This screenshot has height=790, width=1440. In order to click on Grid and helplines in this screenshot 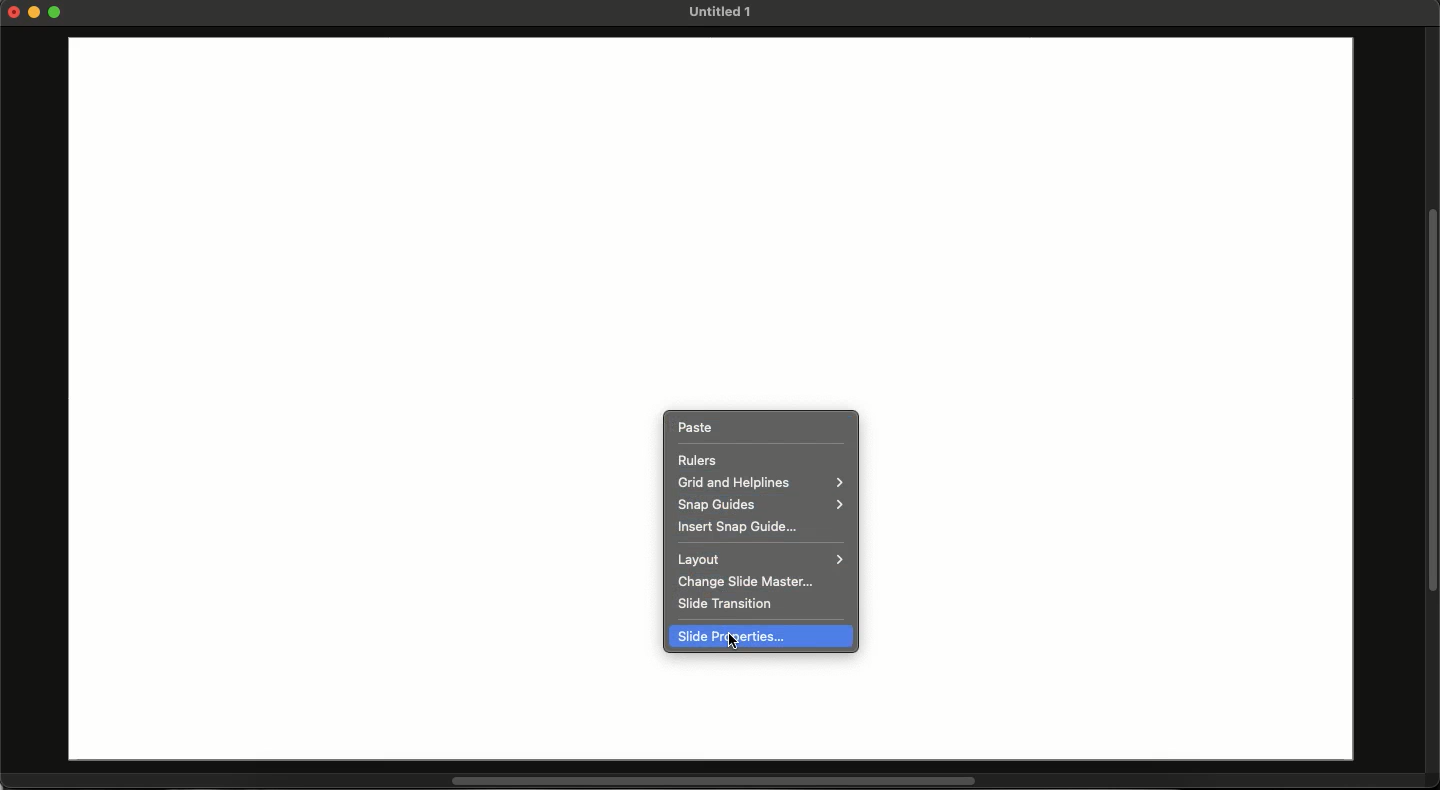, I will do `click(762, 483)`.